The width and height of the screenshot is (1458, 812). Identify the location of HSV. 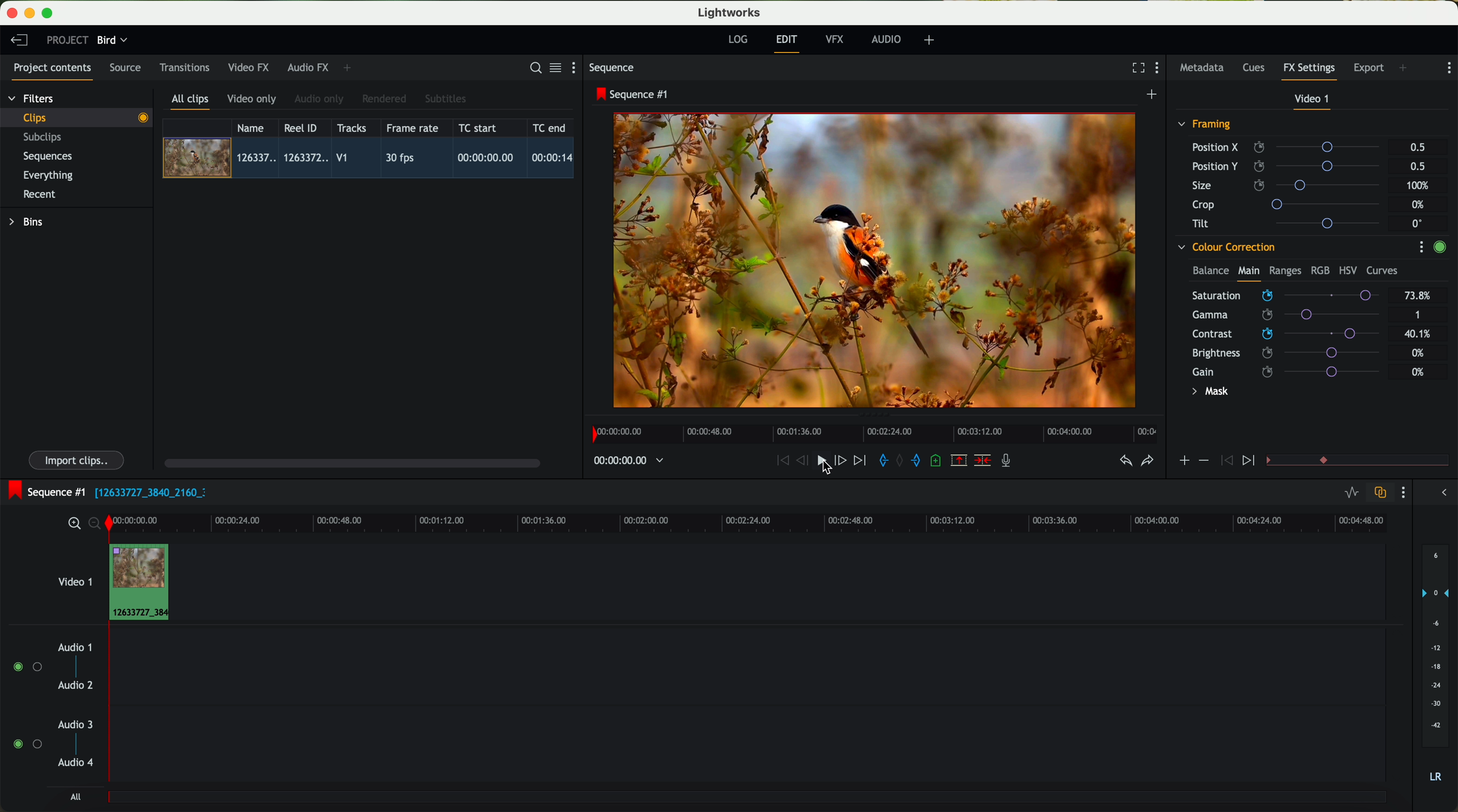
(1347, 270).